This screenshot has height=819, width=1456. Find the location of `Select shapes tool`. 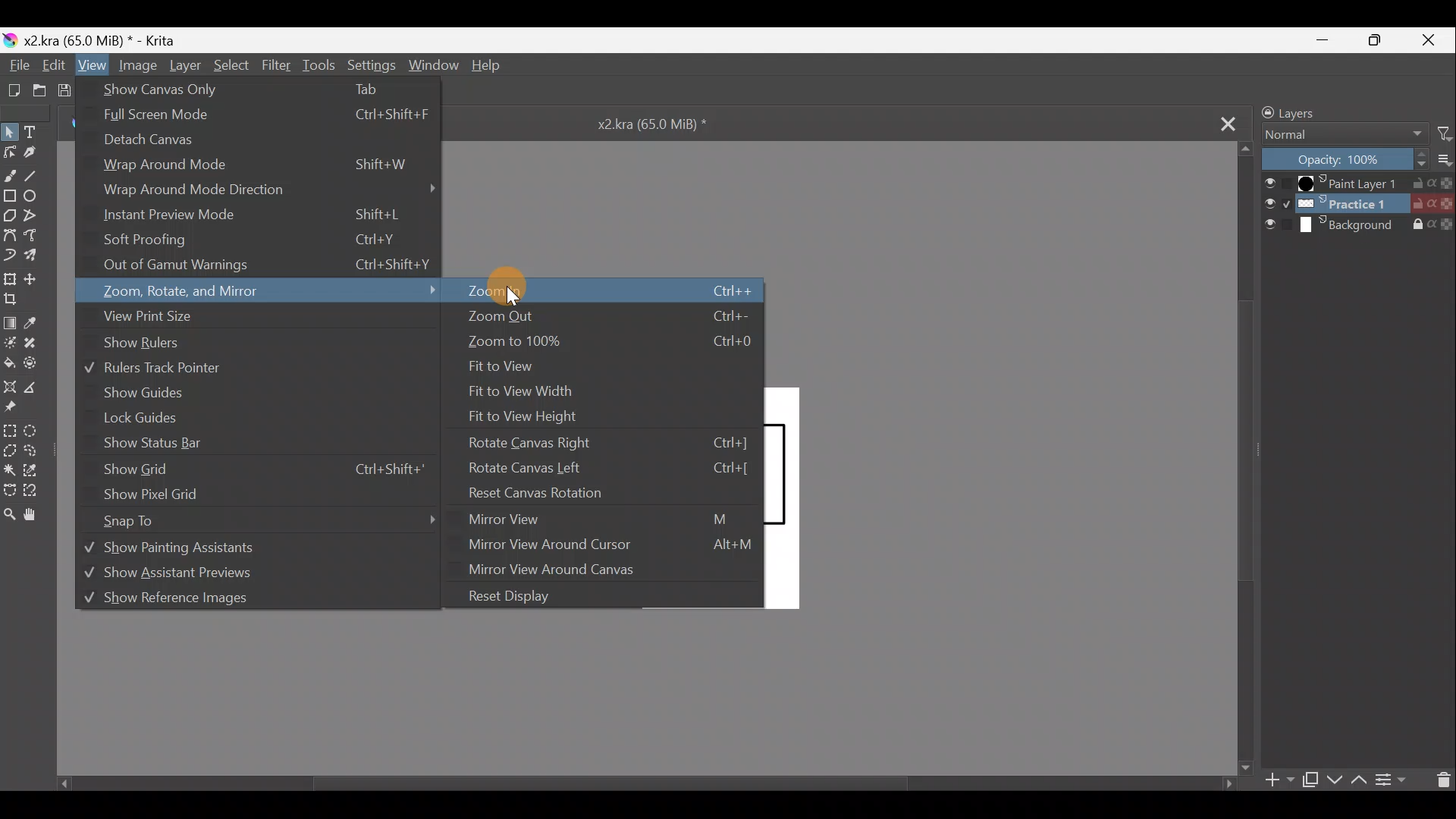

Select shapes tool is located at coordinates (10, 130).